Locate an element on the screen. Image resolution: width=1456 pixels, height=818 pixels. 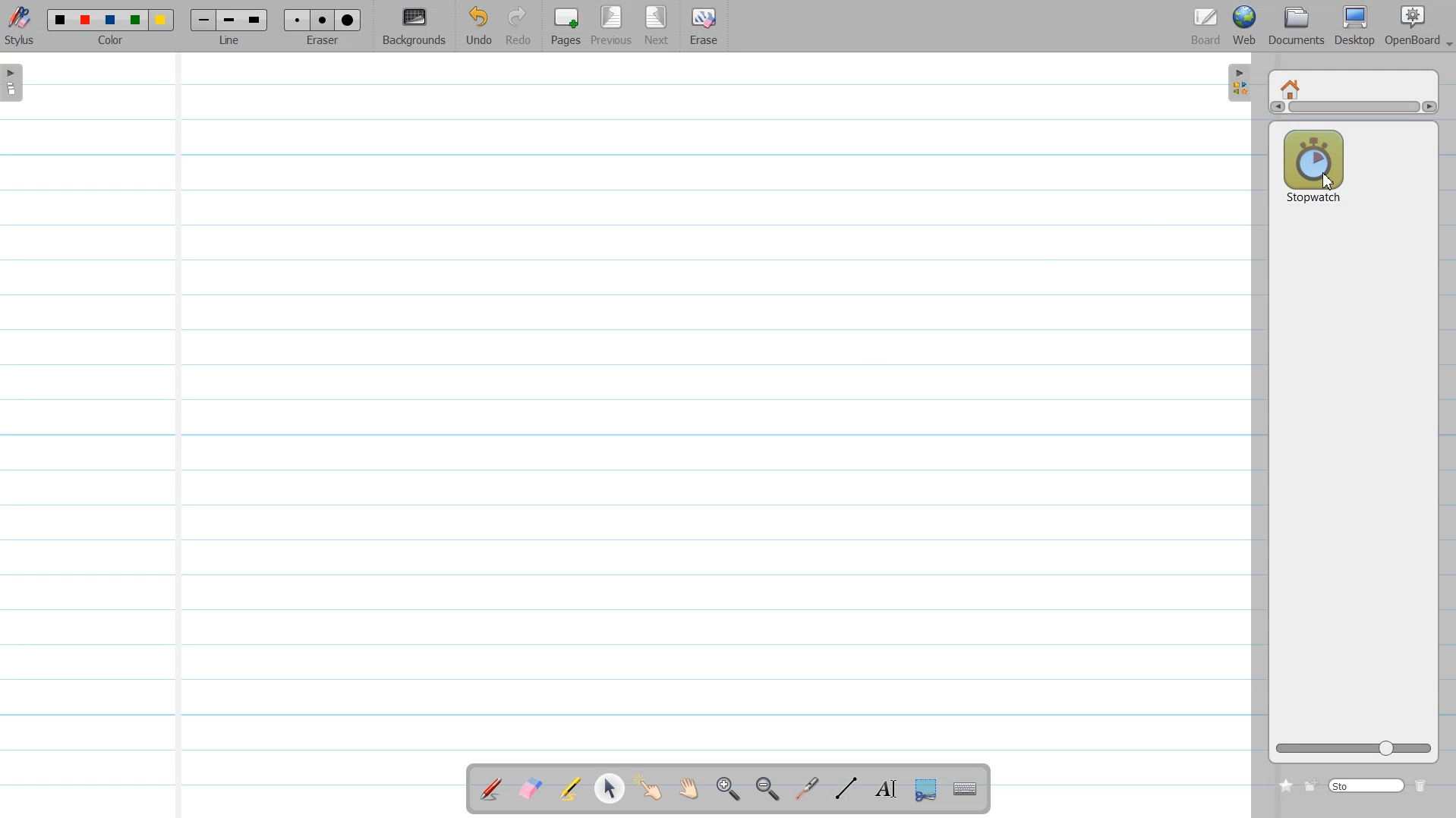
Drop down box is located at coordinates (1447, 39).